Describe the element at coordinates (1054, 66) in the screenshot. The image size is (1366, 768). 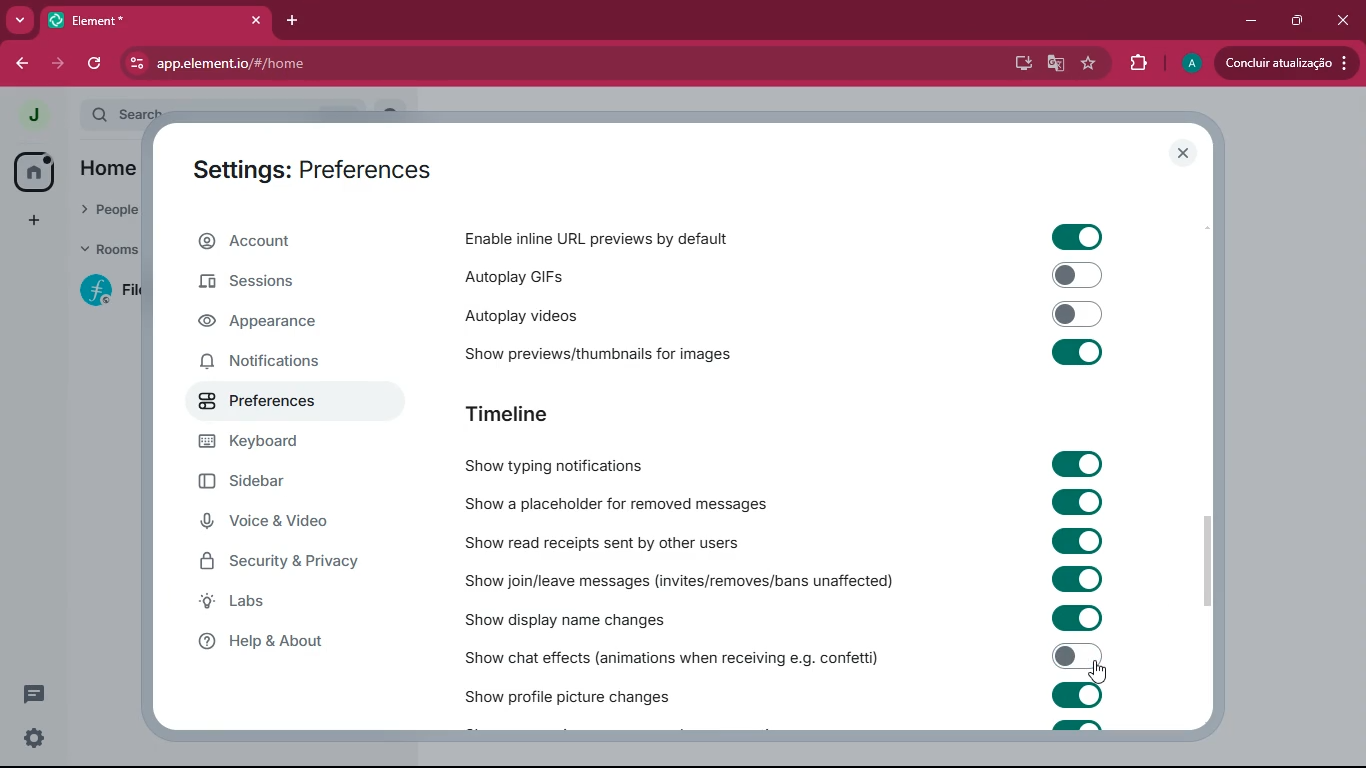
I see `google translate` at that location.